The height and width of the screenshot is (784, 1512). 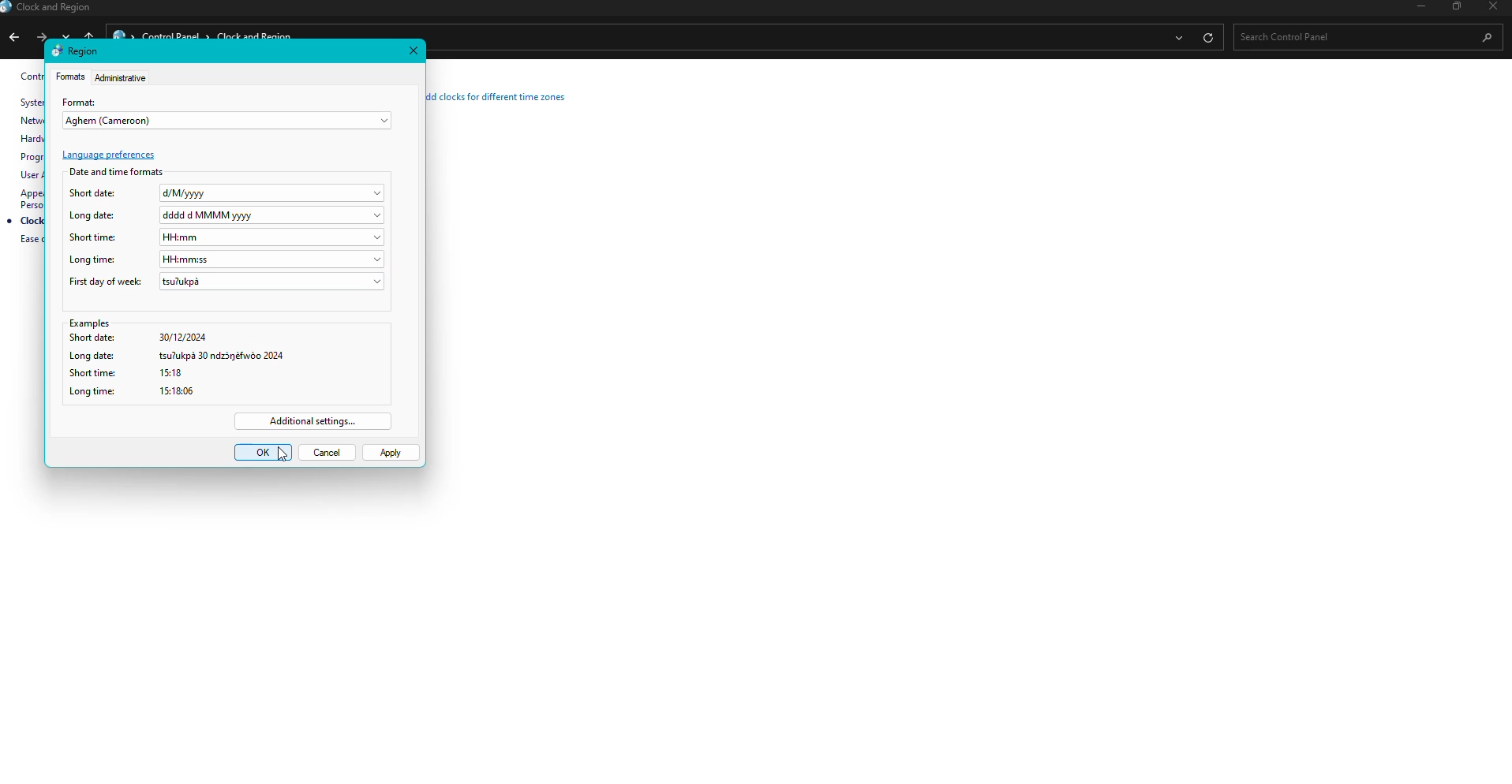 What do you see at coordinates (1454, 7) in the screenshot?
I see `Restore` at bounding box center [1454, 7].